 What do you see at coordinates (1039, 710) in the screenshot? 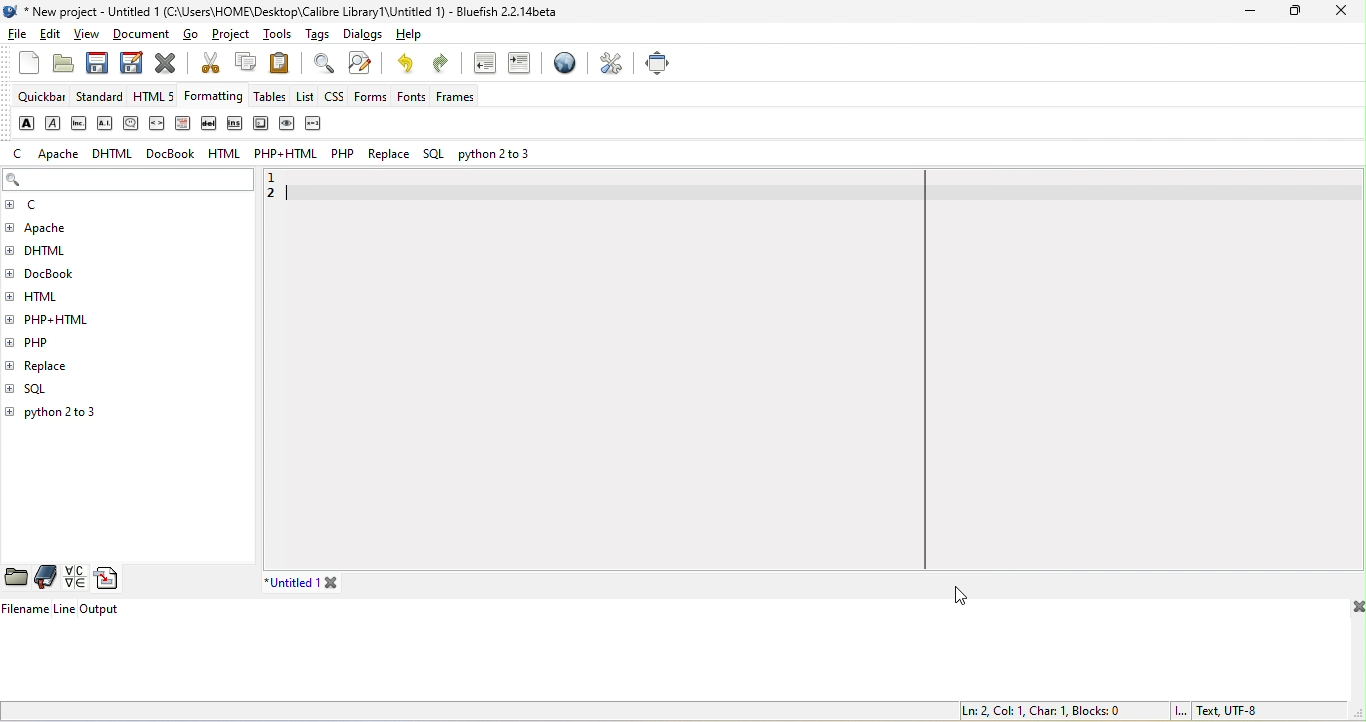
I see `ln 2, col 1, char 1, blocks 0` at bounding box center [1039, 710].